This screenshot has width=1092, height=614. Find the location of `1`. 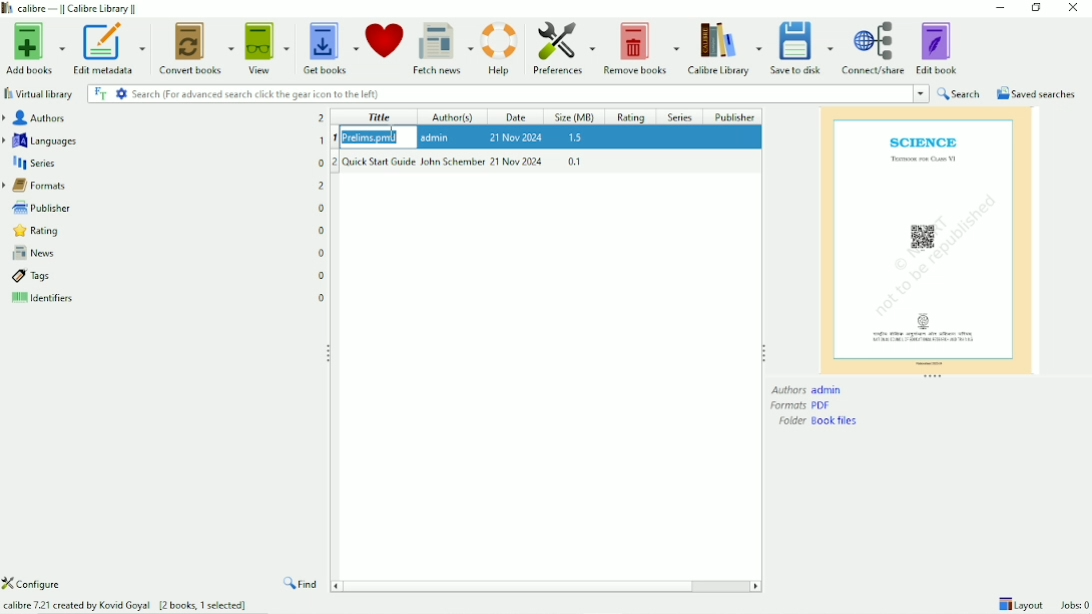

1 is located at coordinates (335, 138).